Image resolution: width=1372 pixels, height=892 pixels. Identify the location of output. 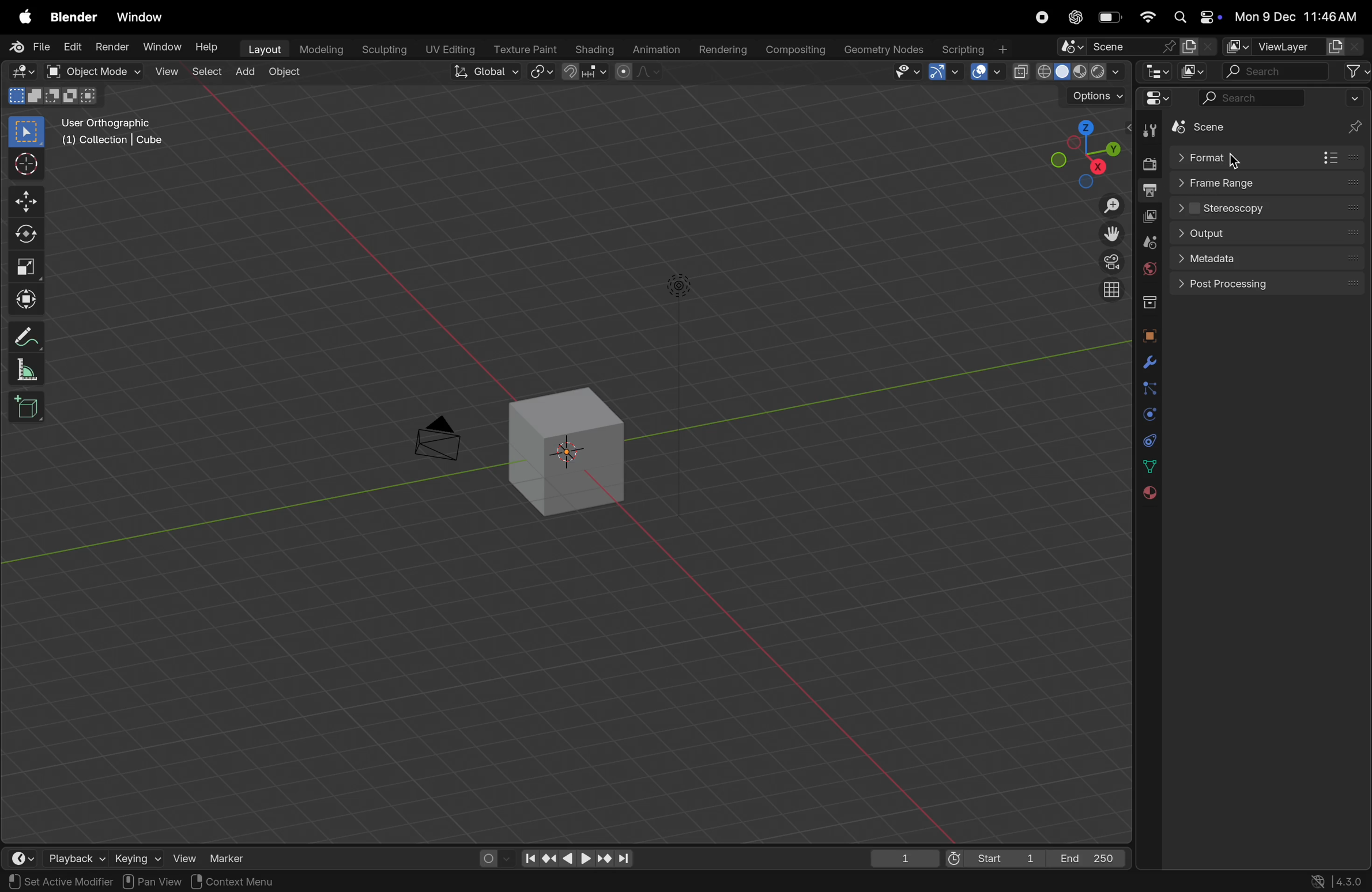
(1150, 192).